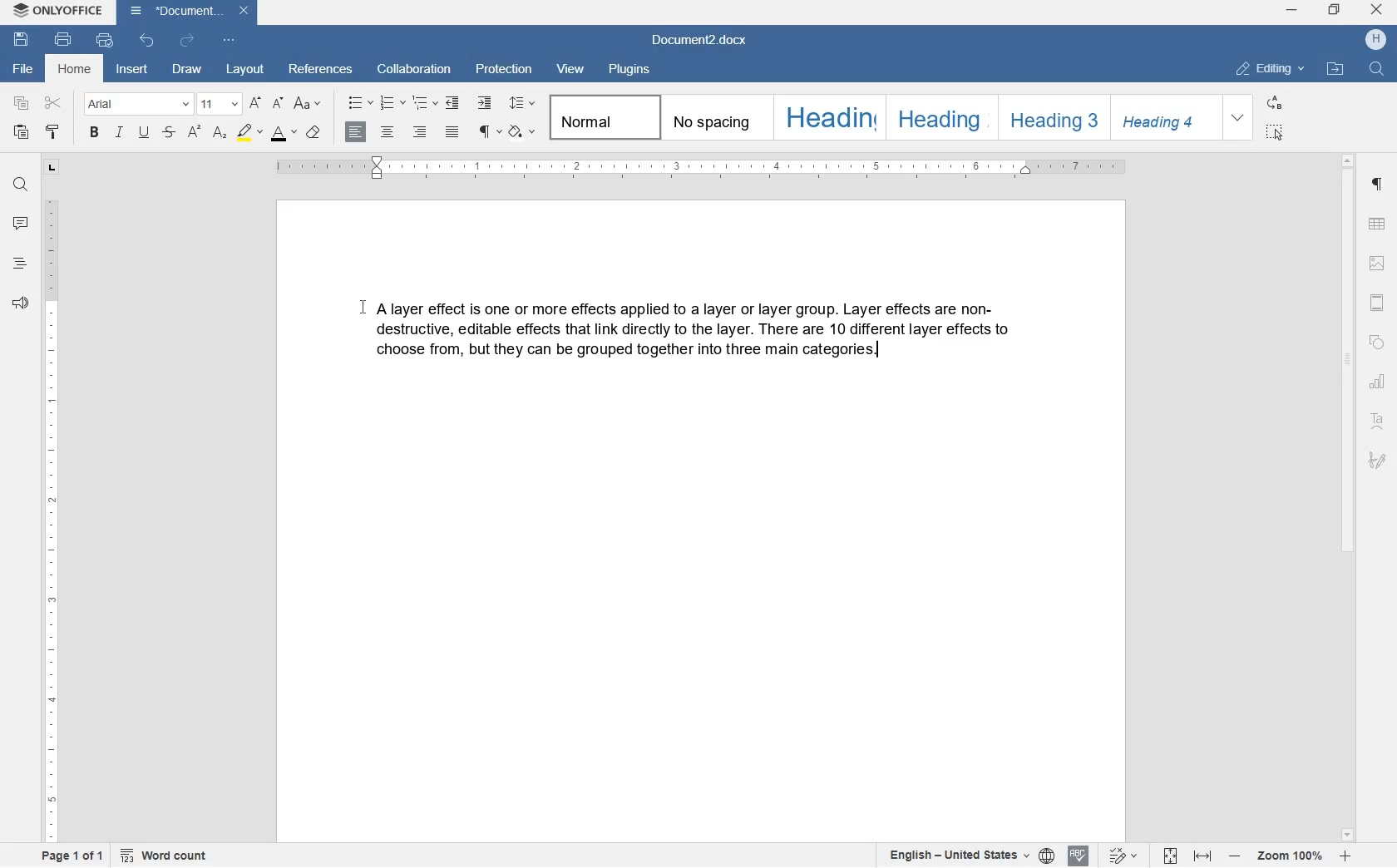  I want to click on increment font size, so click(254, 103).